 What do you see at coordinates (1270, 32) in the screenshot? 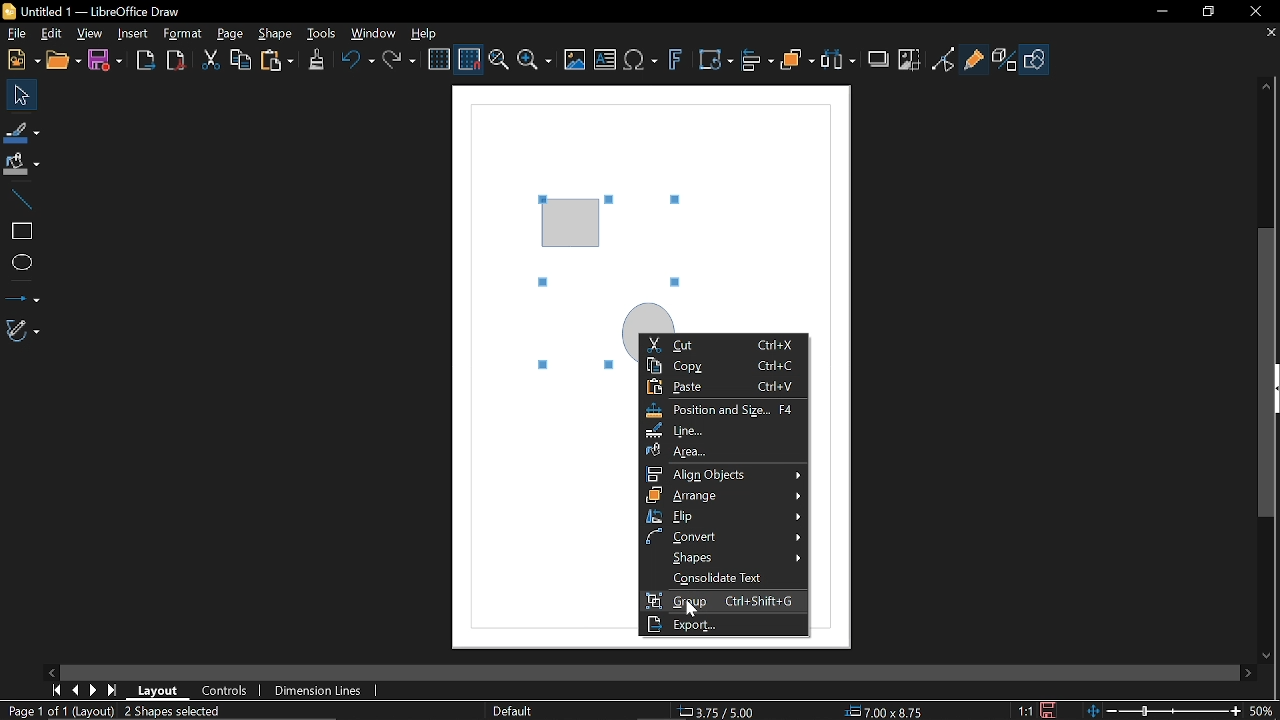
I see `Close tab` at bounding box center [1270, 32].